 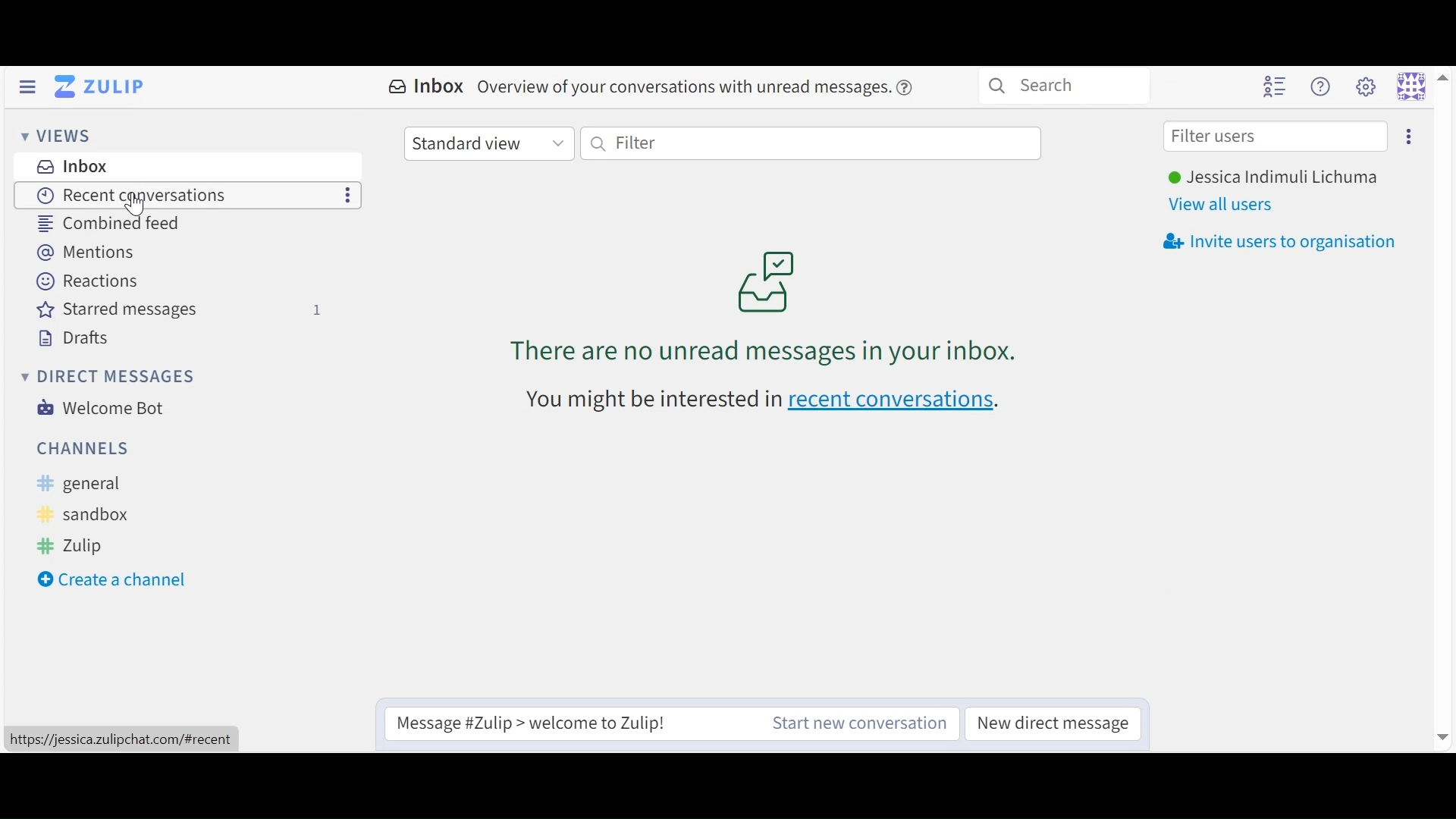 I want to click on Welcome Bot, so click(x=101, y=409).